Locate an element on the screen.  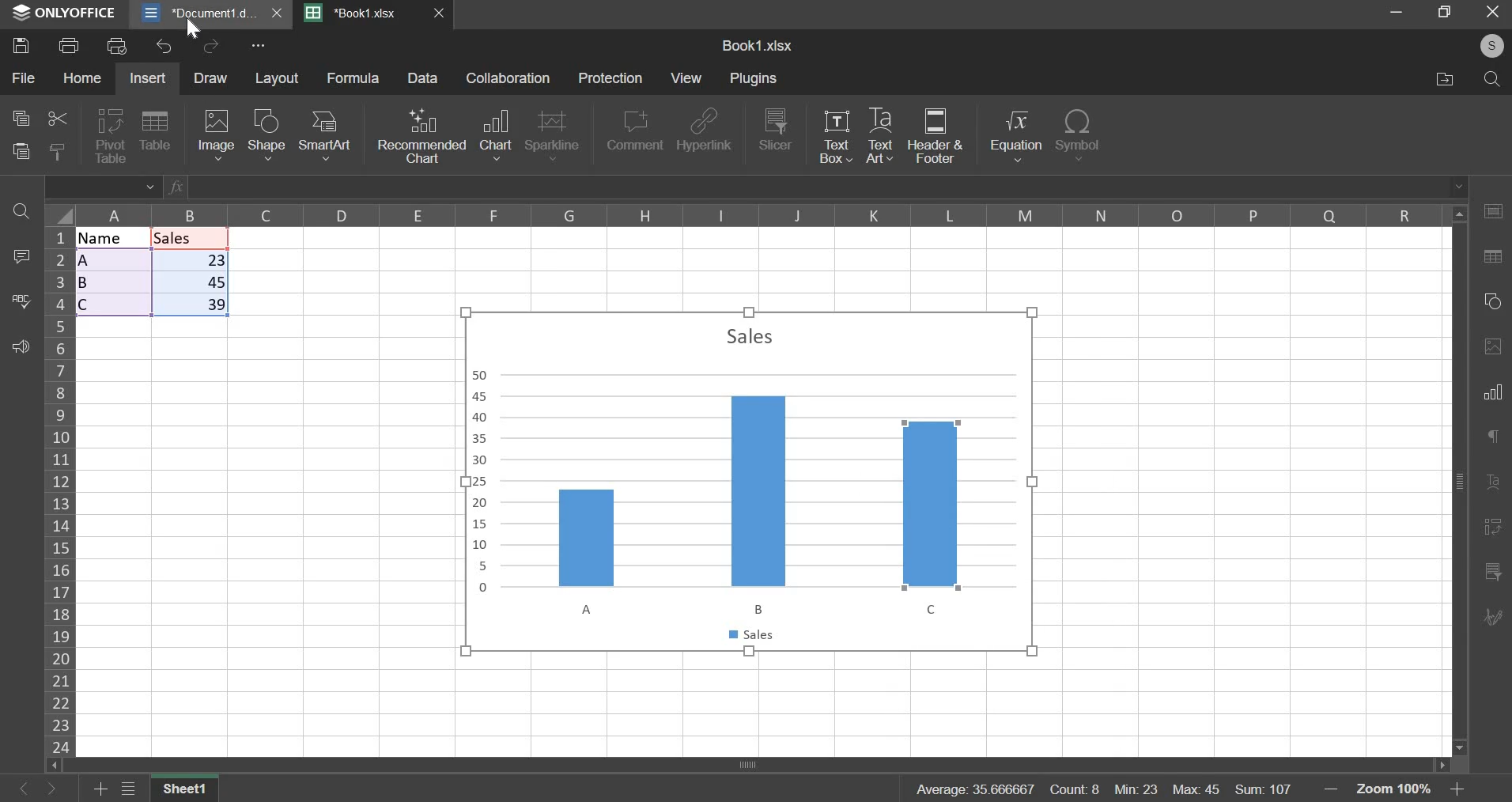
pivot table is located at coordinates (111, 137).